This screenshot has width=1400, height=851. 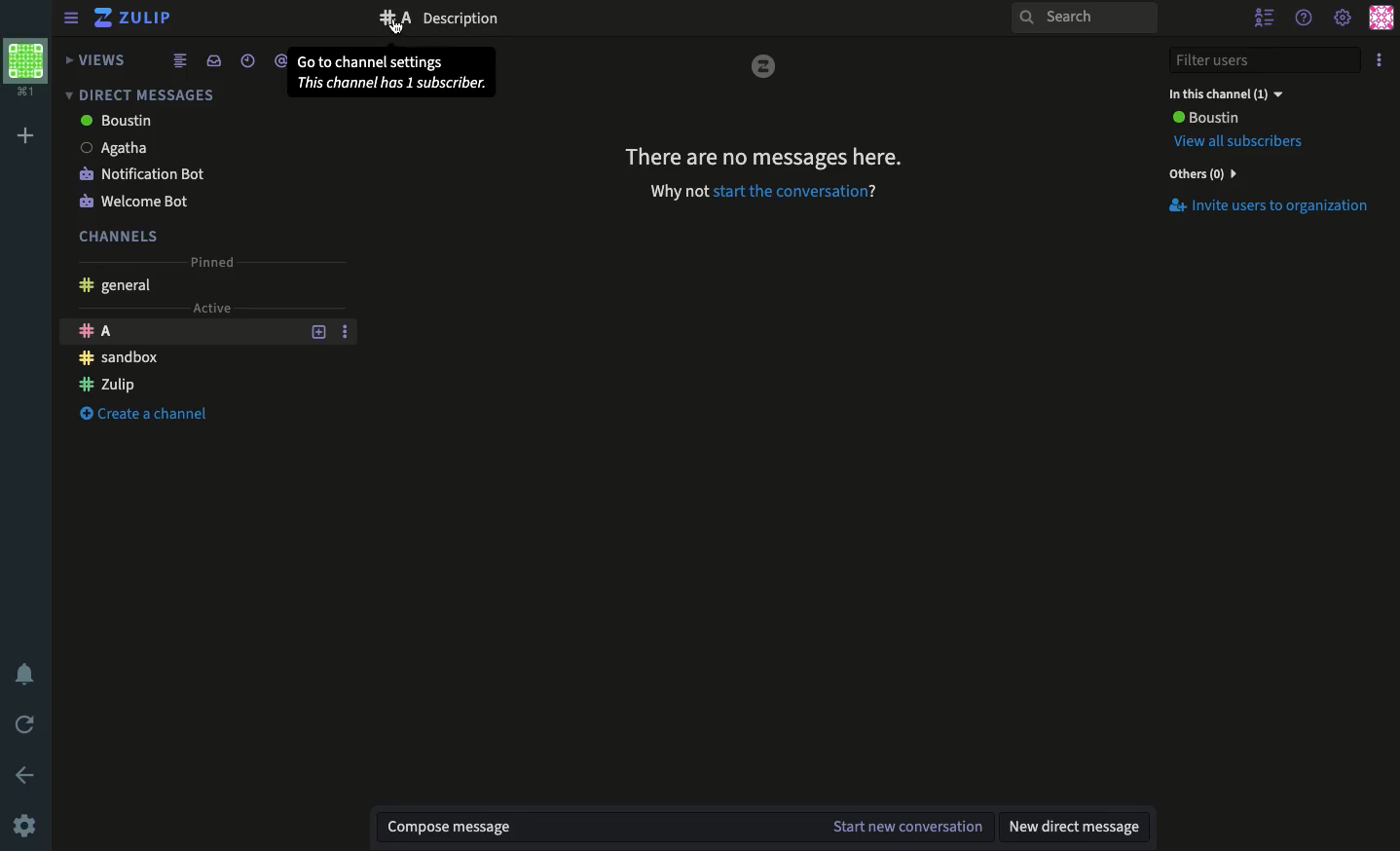 I want to click on No messages, so click(x=763, y=157).